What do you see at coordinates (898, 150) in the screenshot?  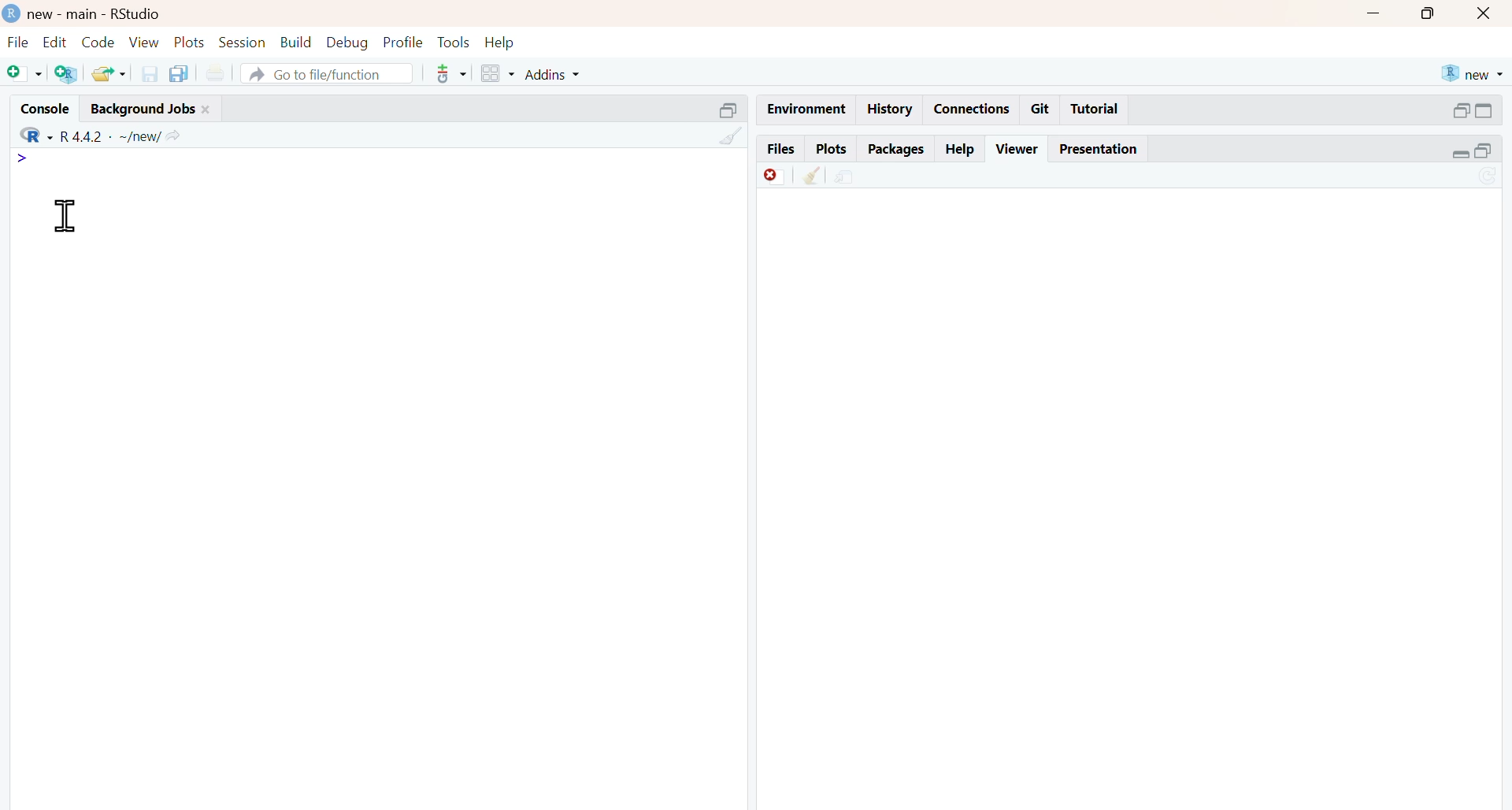 I see `packages` at bounding box center [898, 150].